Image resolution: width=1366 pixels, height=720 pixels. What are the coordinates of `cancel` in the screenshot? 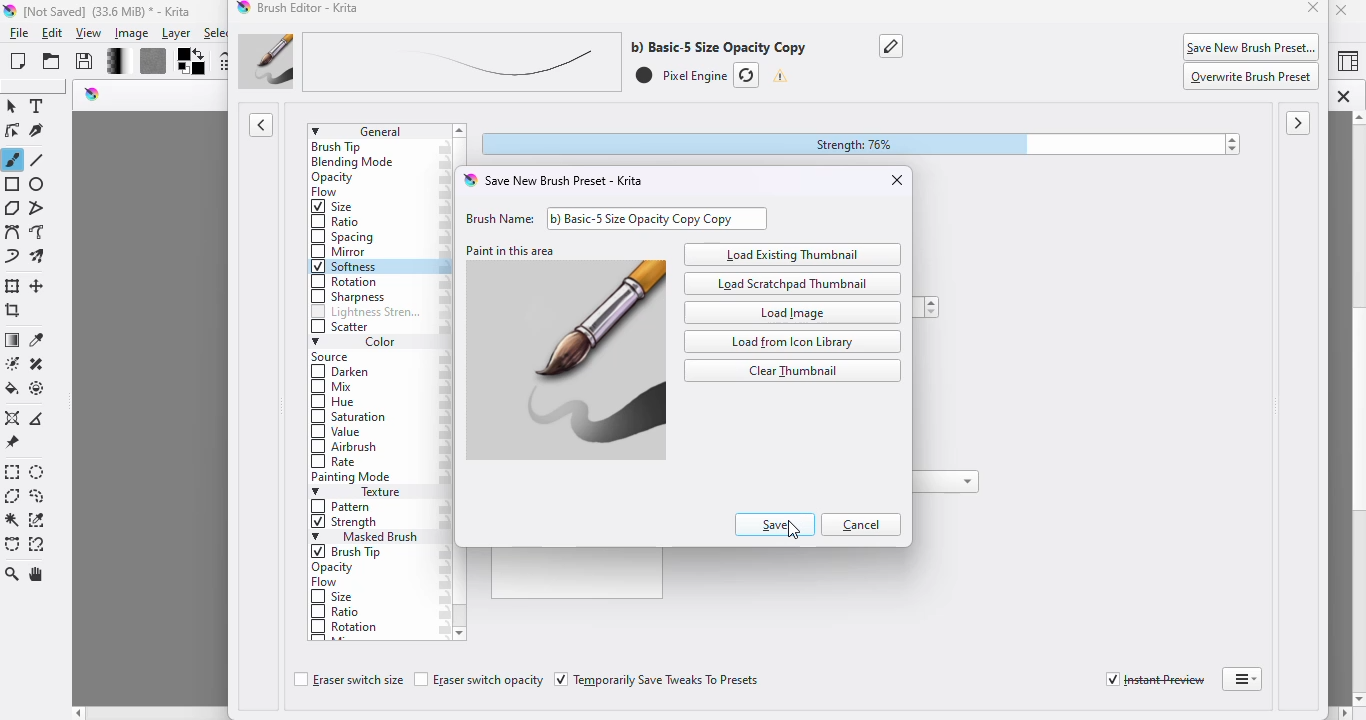 It's located at (864, 525).